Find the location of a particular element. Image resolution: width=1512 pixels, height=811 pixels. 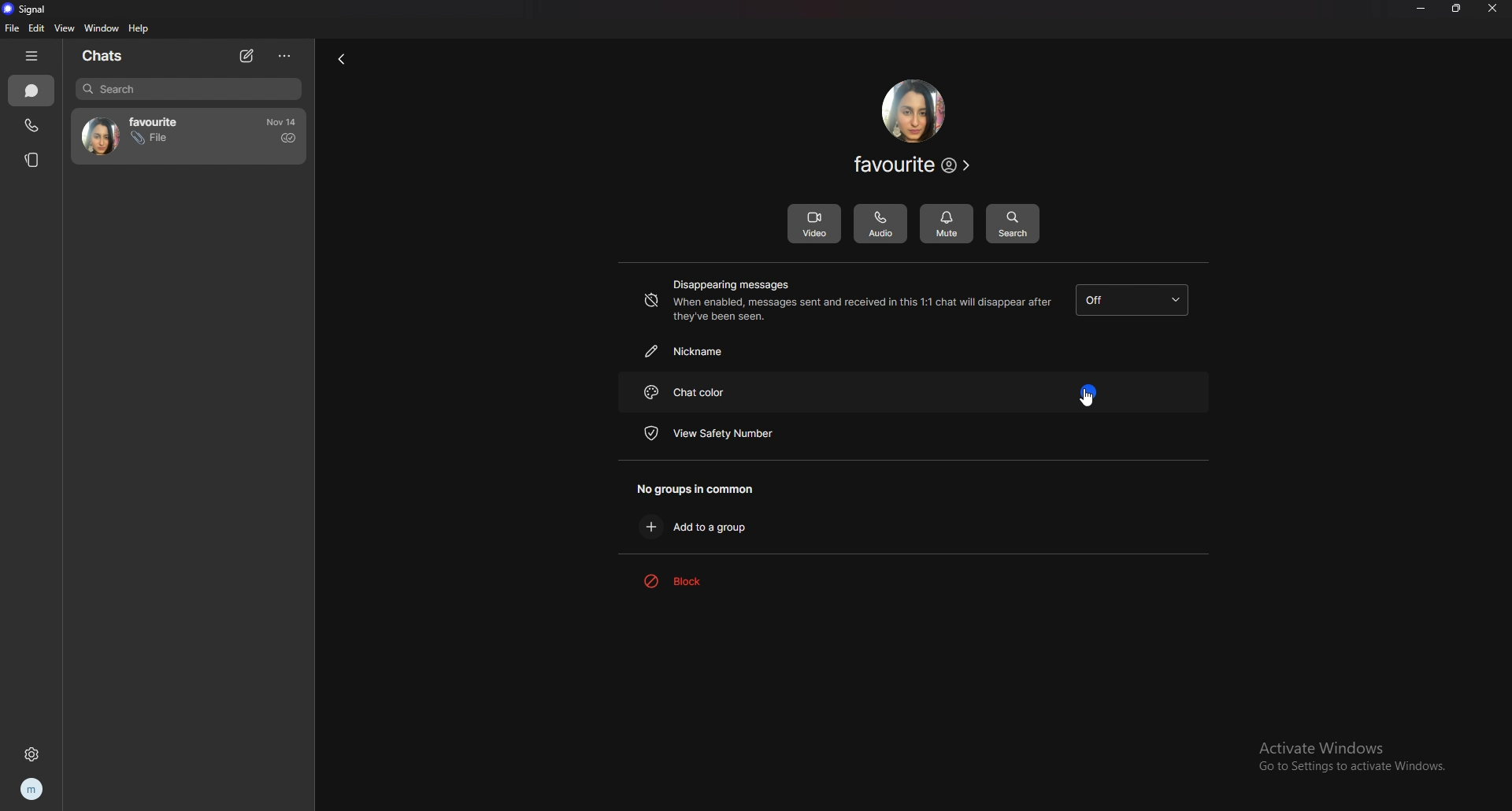

sent is located at coordinates (287, 138).